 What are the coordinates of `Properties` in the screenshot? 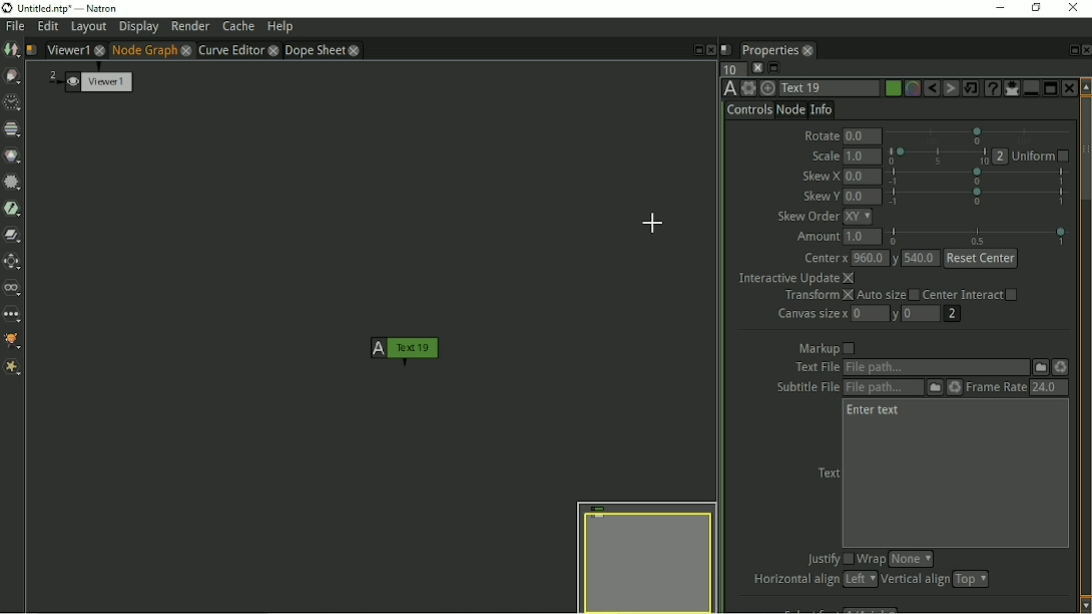 It's located at (769, 50).